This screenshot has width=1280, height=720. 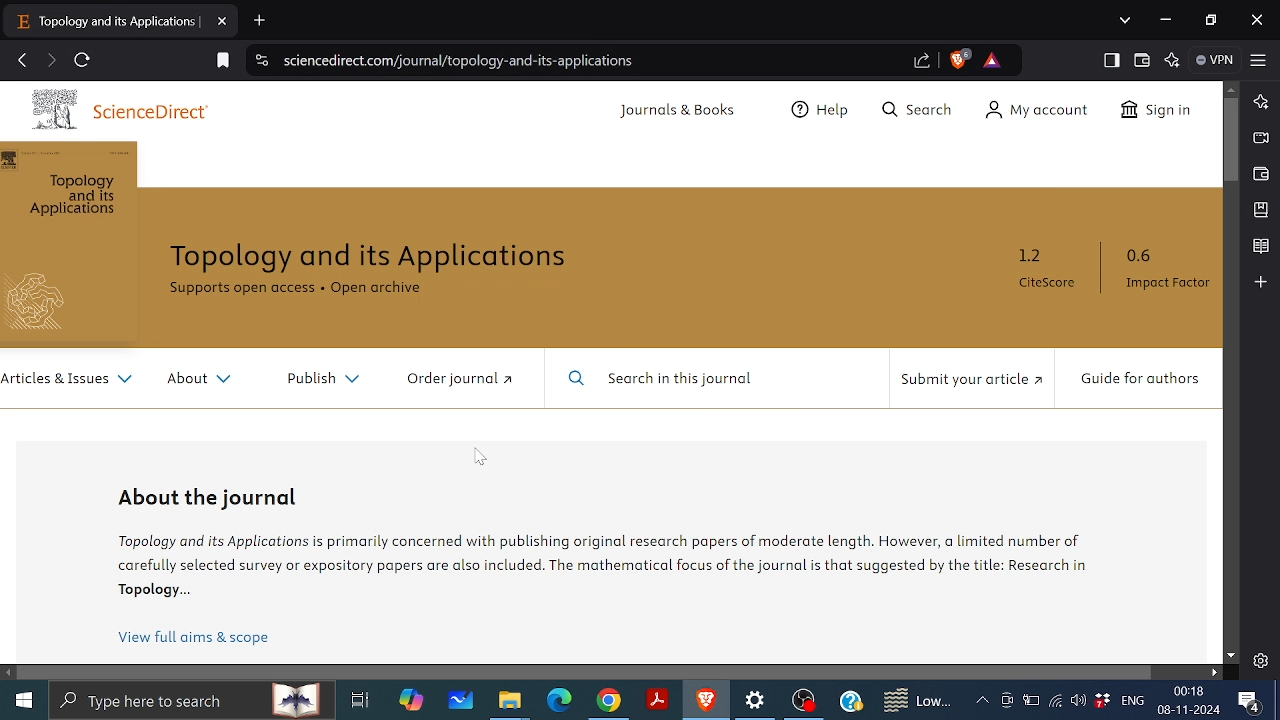 I want to click on OBS studio, so click(x=805, y=701).